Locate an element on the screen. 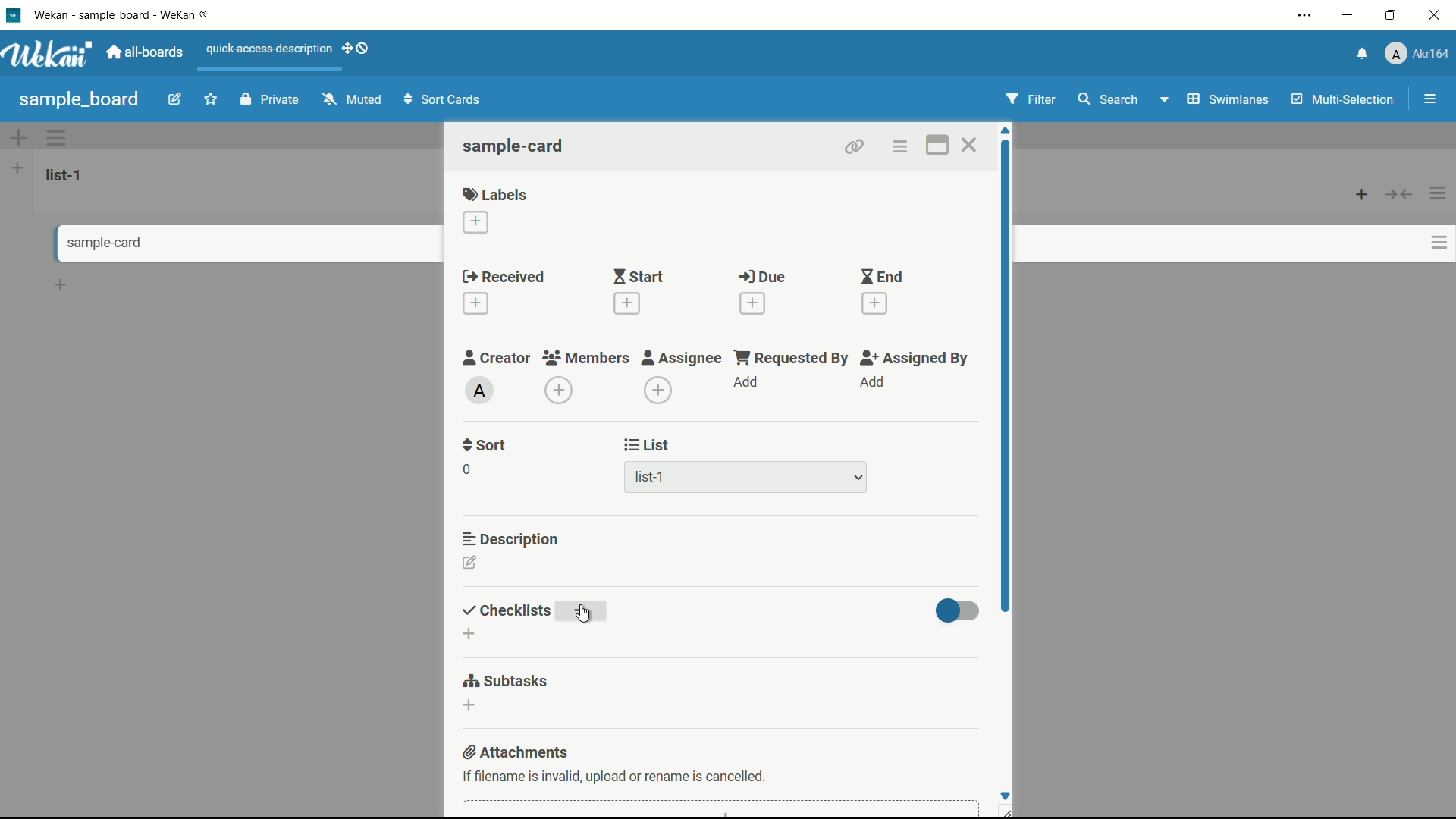 The height and width of the screenshot is (819, 1456). scroll bar is located at coordinates (1007, 378).